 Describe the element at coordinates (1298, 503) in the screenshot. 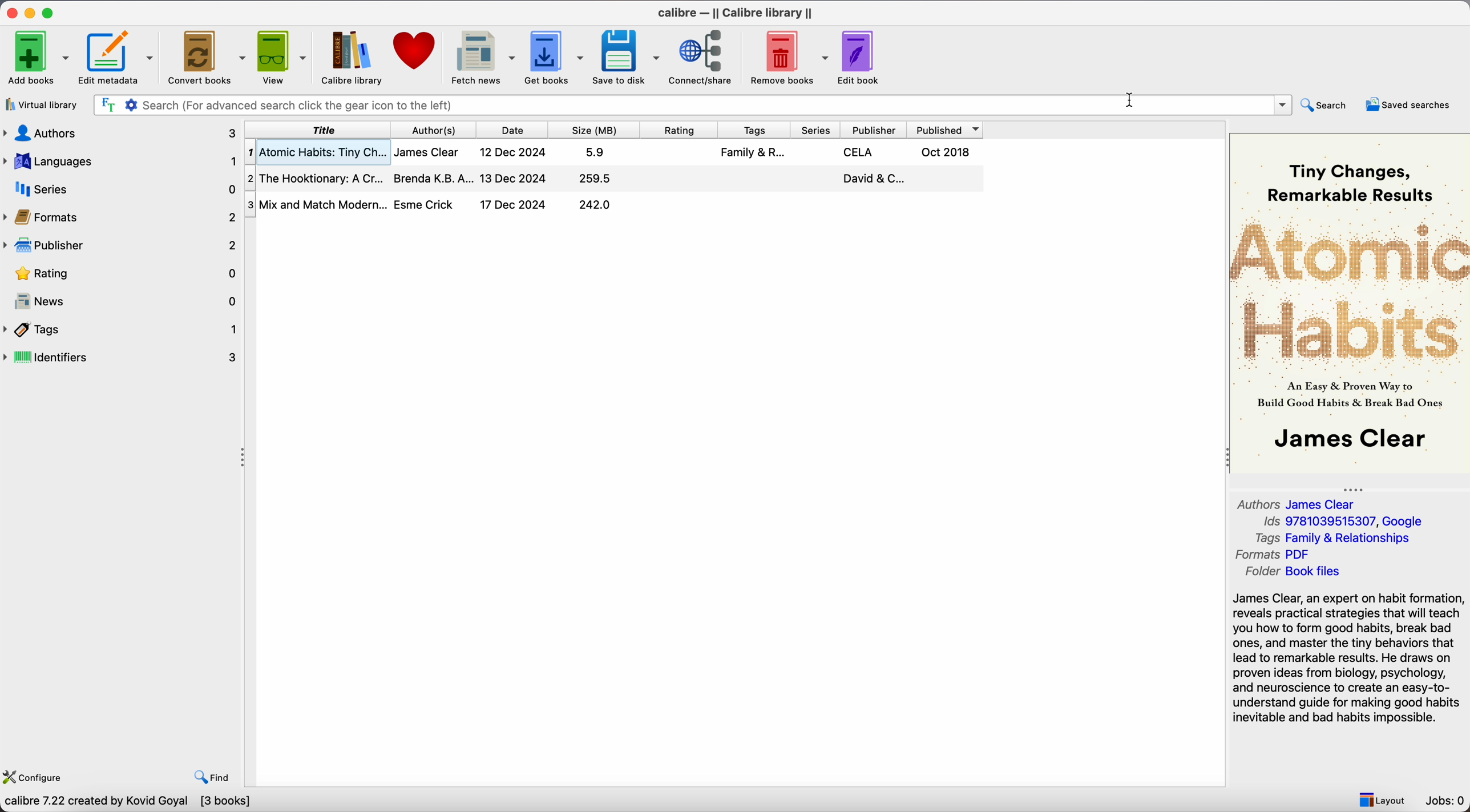

I see `Authors James Clear` at that location.